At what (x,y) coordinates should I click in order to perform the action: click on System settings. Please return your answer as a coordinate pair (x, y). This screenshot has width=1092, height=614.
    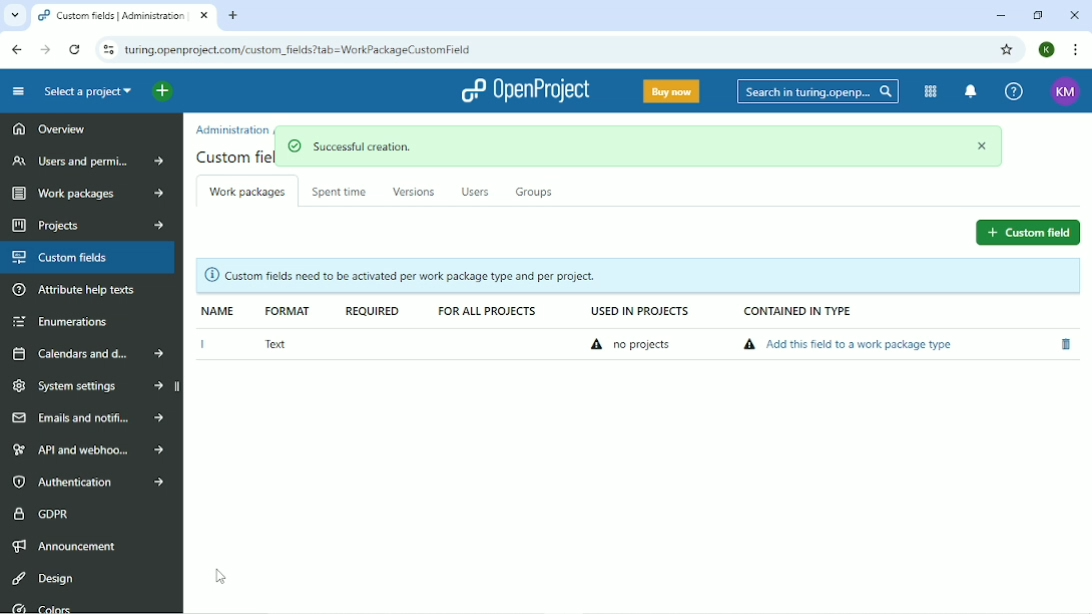
    Looking at the image, I should click on (90, 388).